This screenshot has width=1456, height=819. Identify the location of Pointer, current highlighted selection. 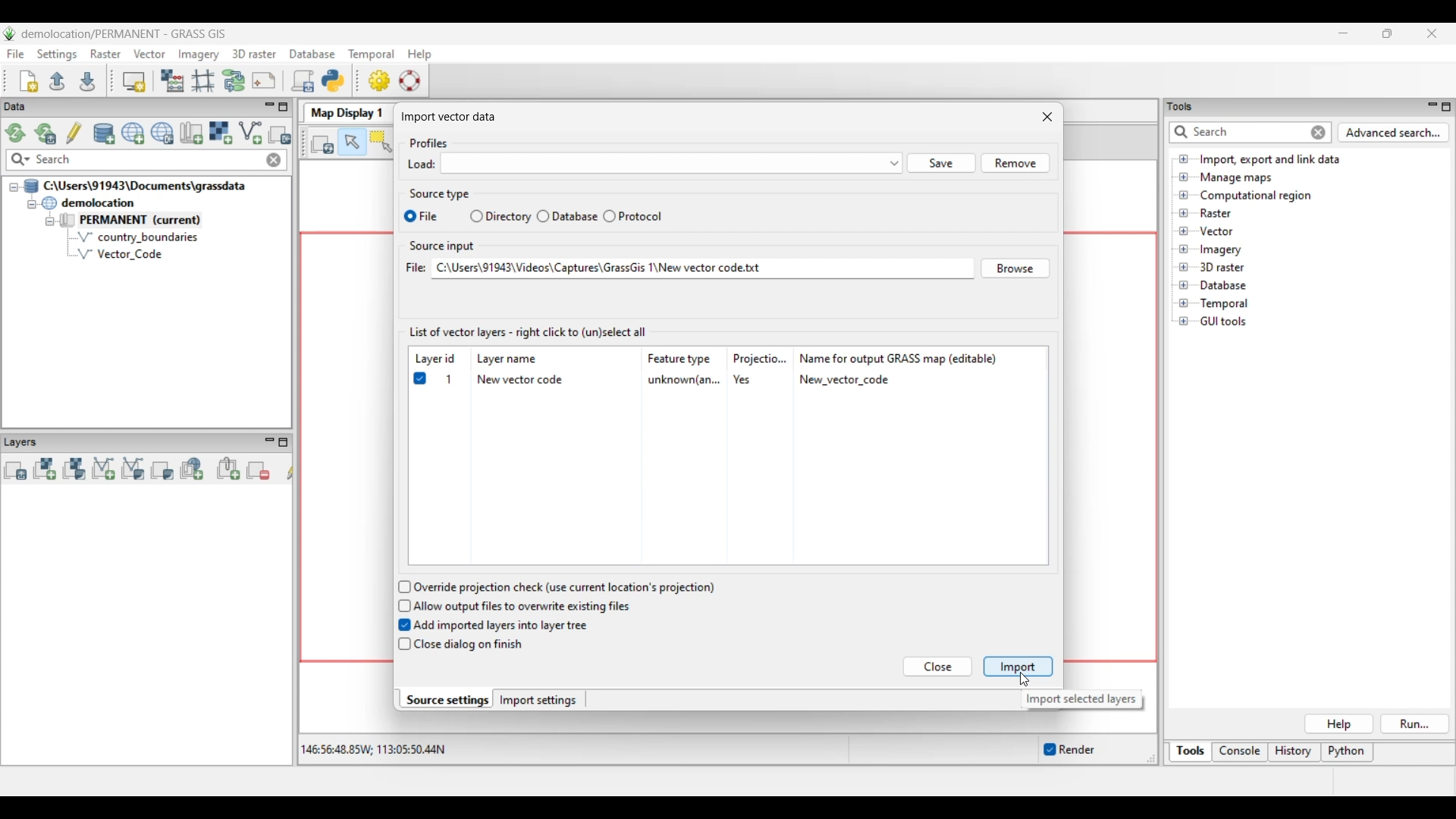
(352, 143).